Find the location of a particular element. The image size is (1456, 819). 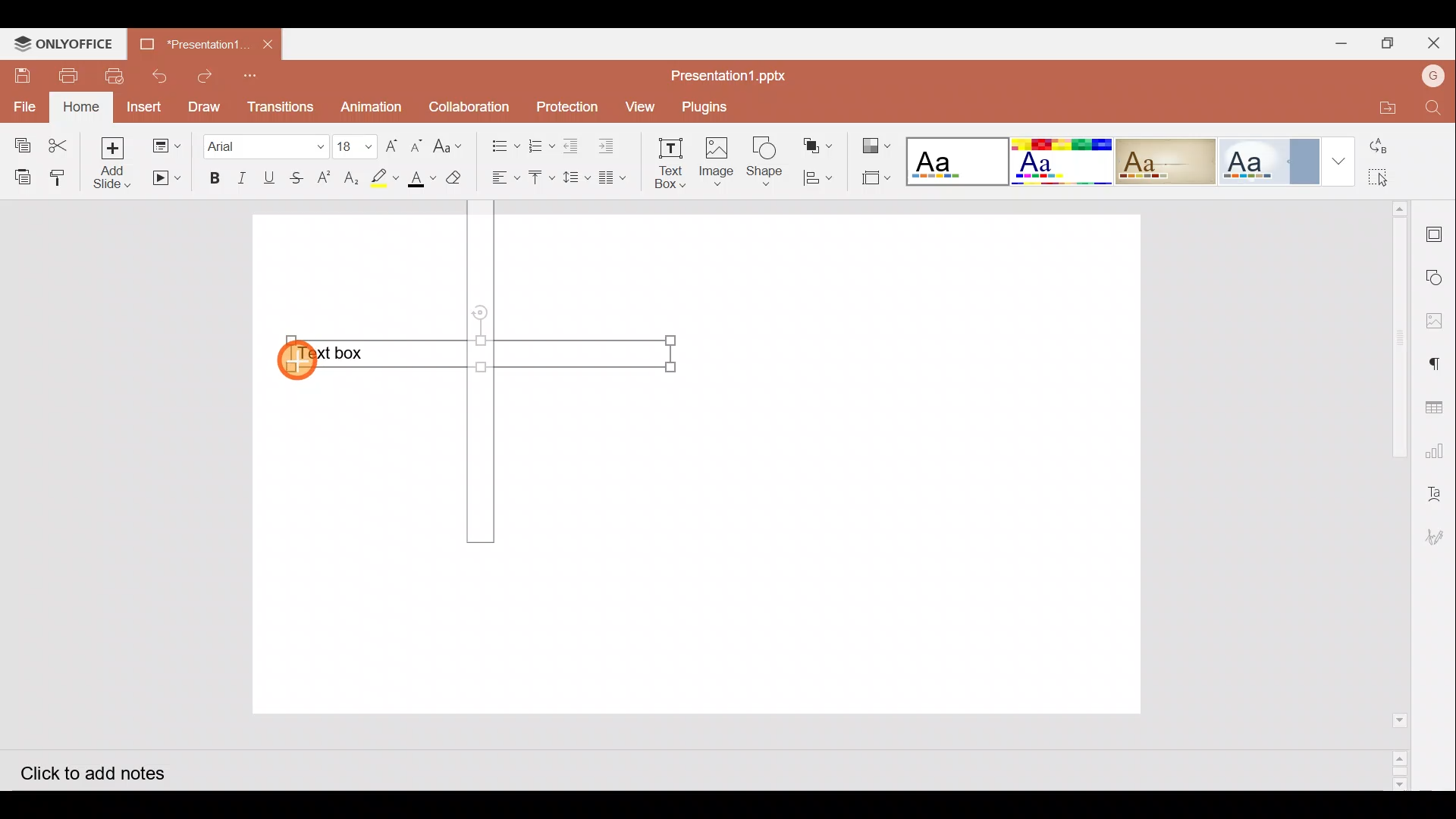

Image settings is located at coordinates (1439, 321).